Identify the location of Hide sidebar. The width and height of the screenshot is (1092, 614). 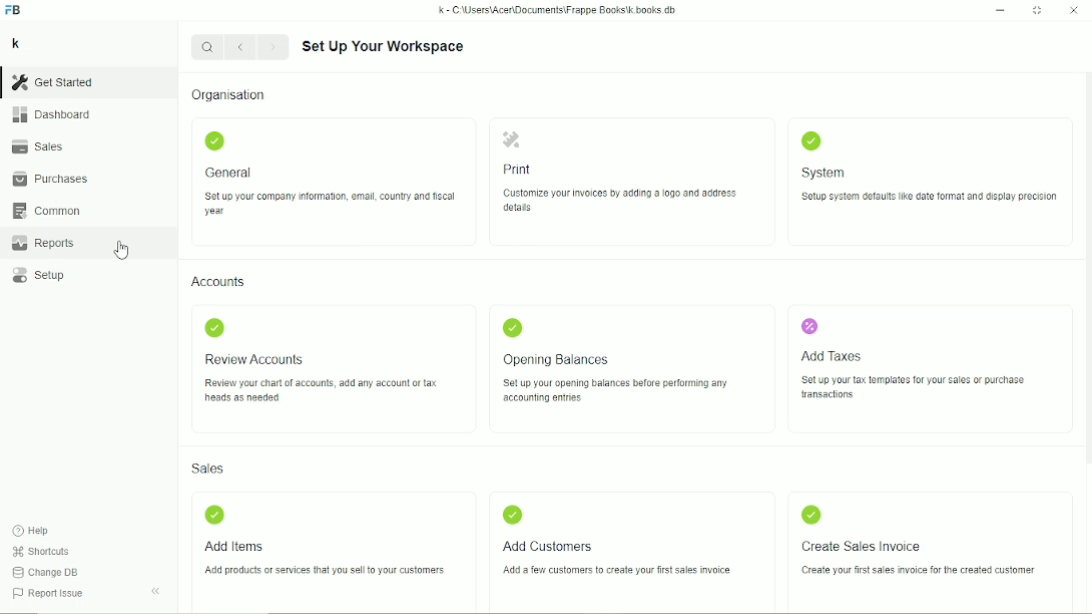
(156, 591).